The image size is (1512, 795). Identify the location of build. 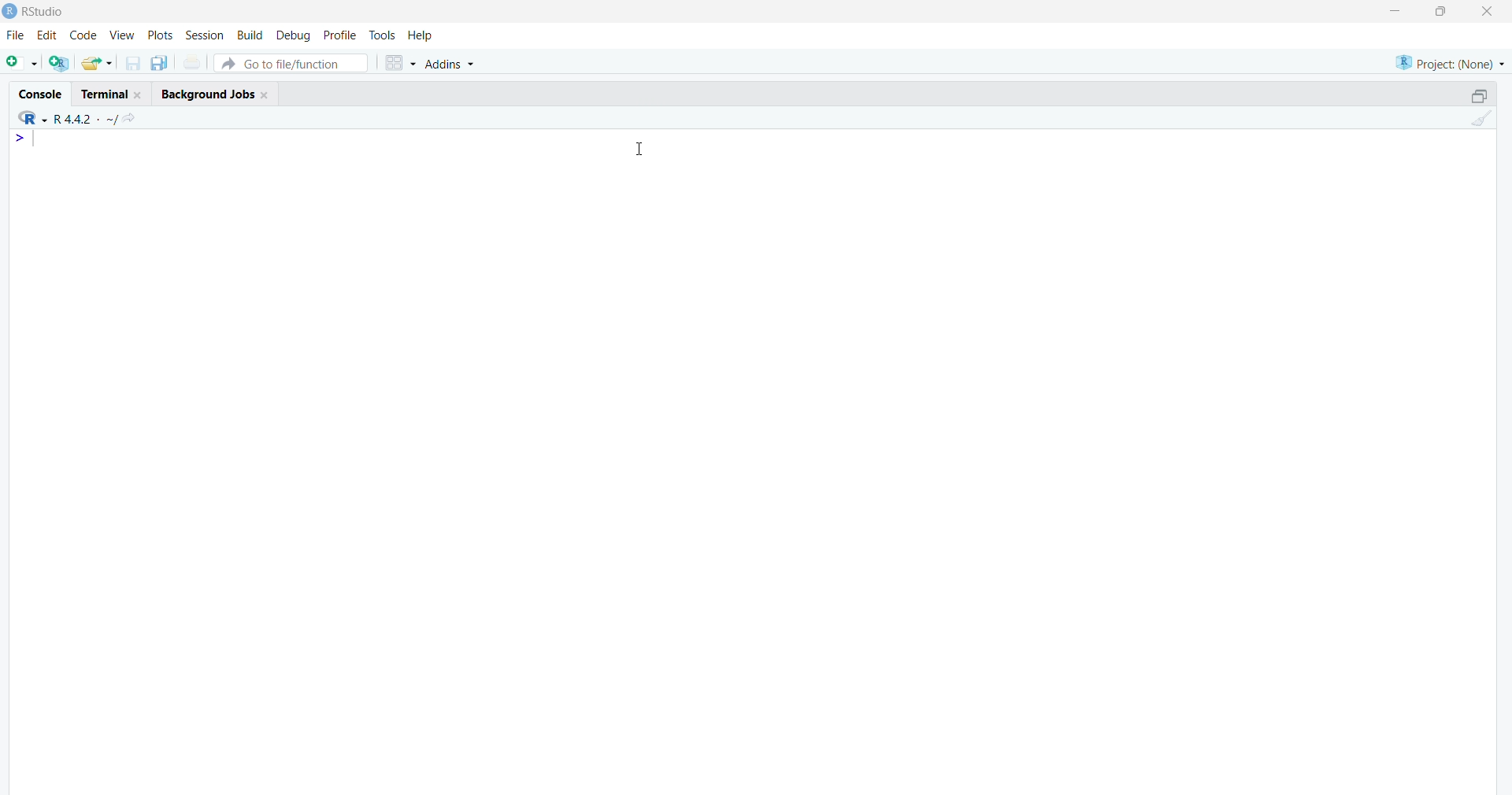
(249, 35).